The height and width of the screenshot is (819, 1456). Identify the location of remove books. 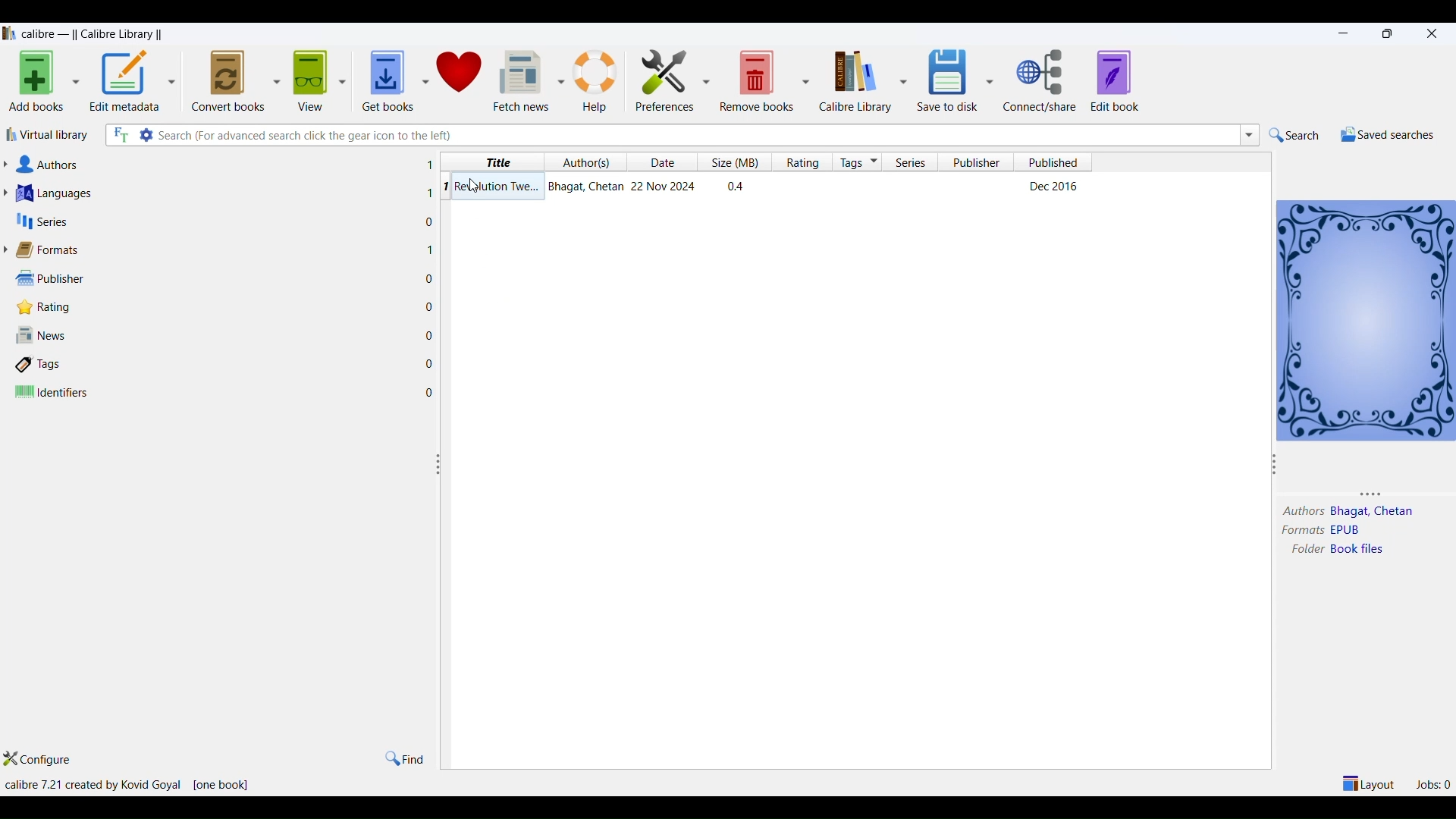
(757, 79).